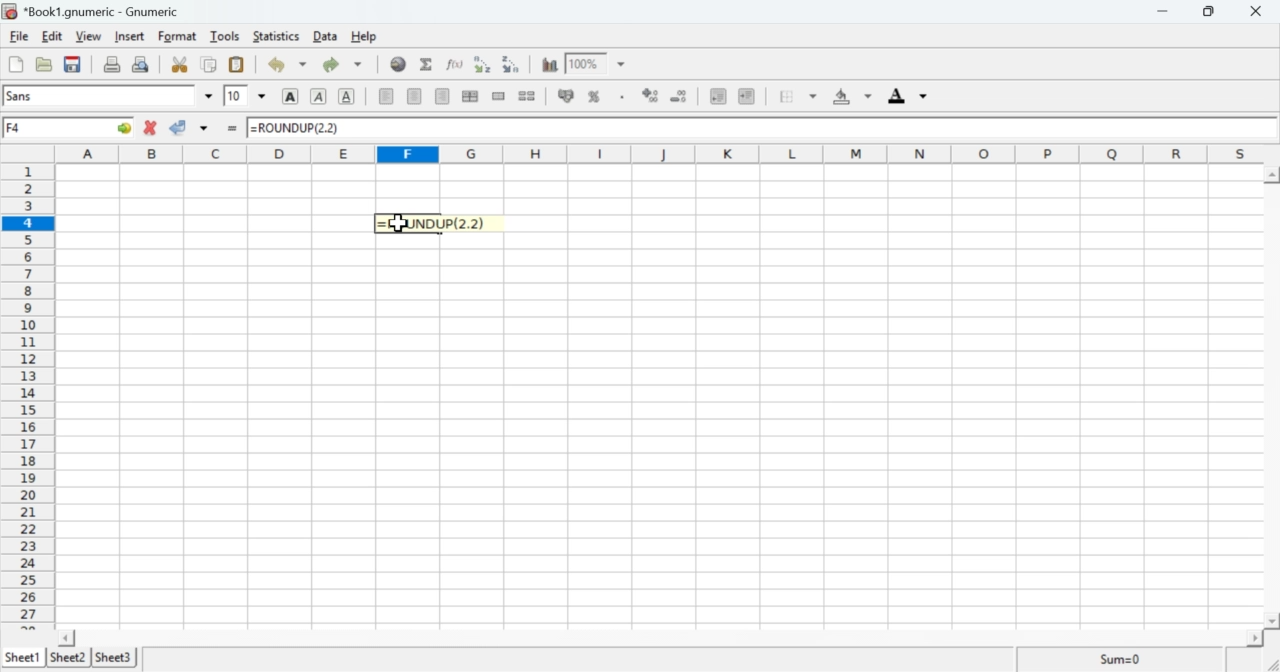  Describe the element at coordinates (680, 96) in the screenshot. I see `Decrease number of decimals` at that location.